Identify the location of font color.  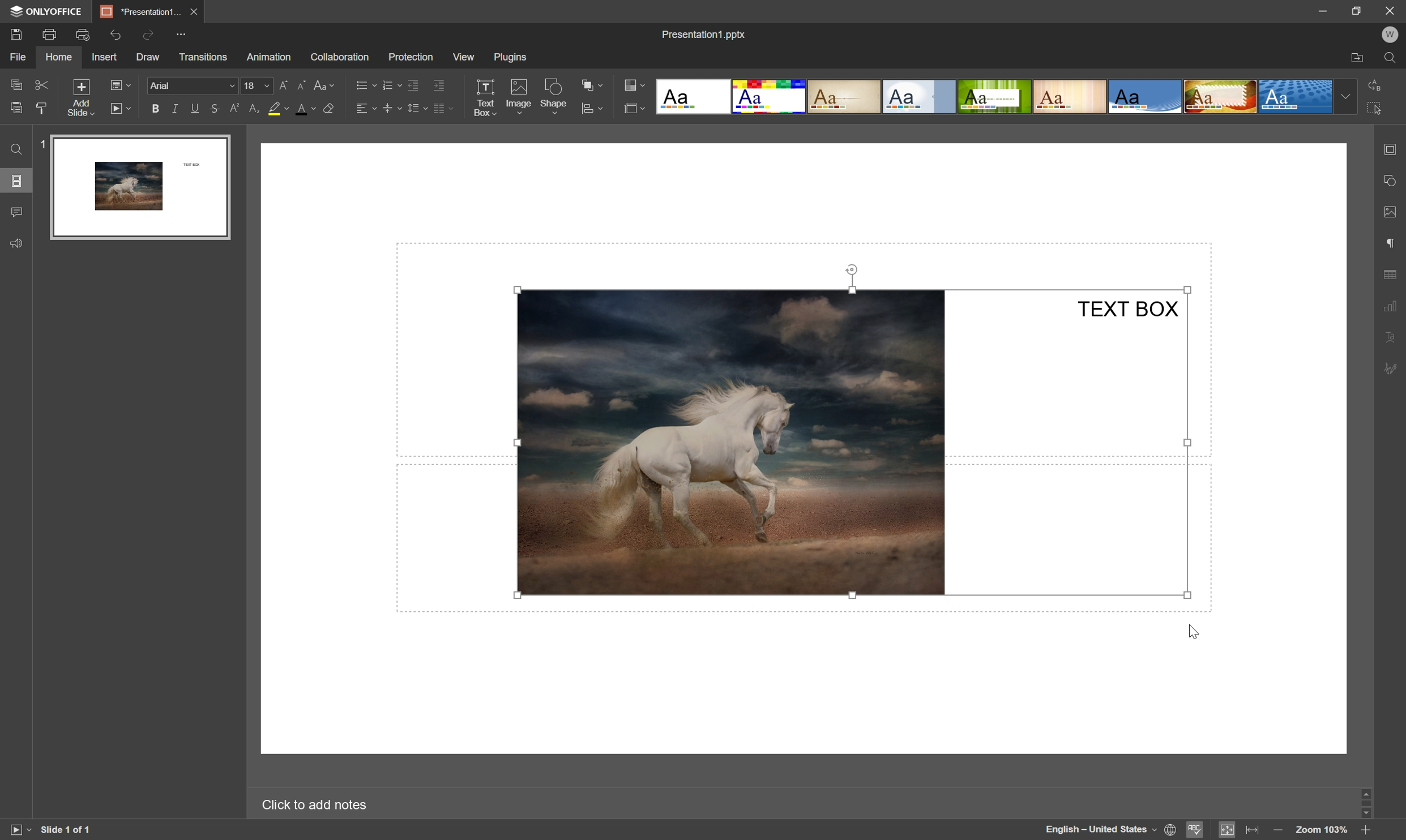
(307, 109).